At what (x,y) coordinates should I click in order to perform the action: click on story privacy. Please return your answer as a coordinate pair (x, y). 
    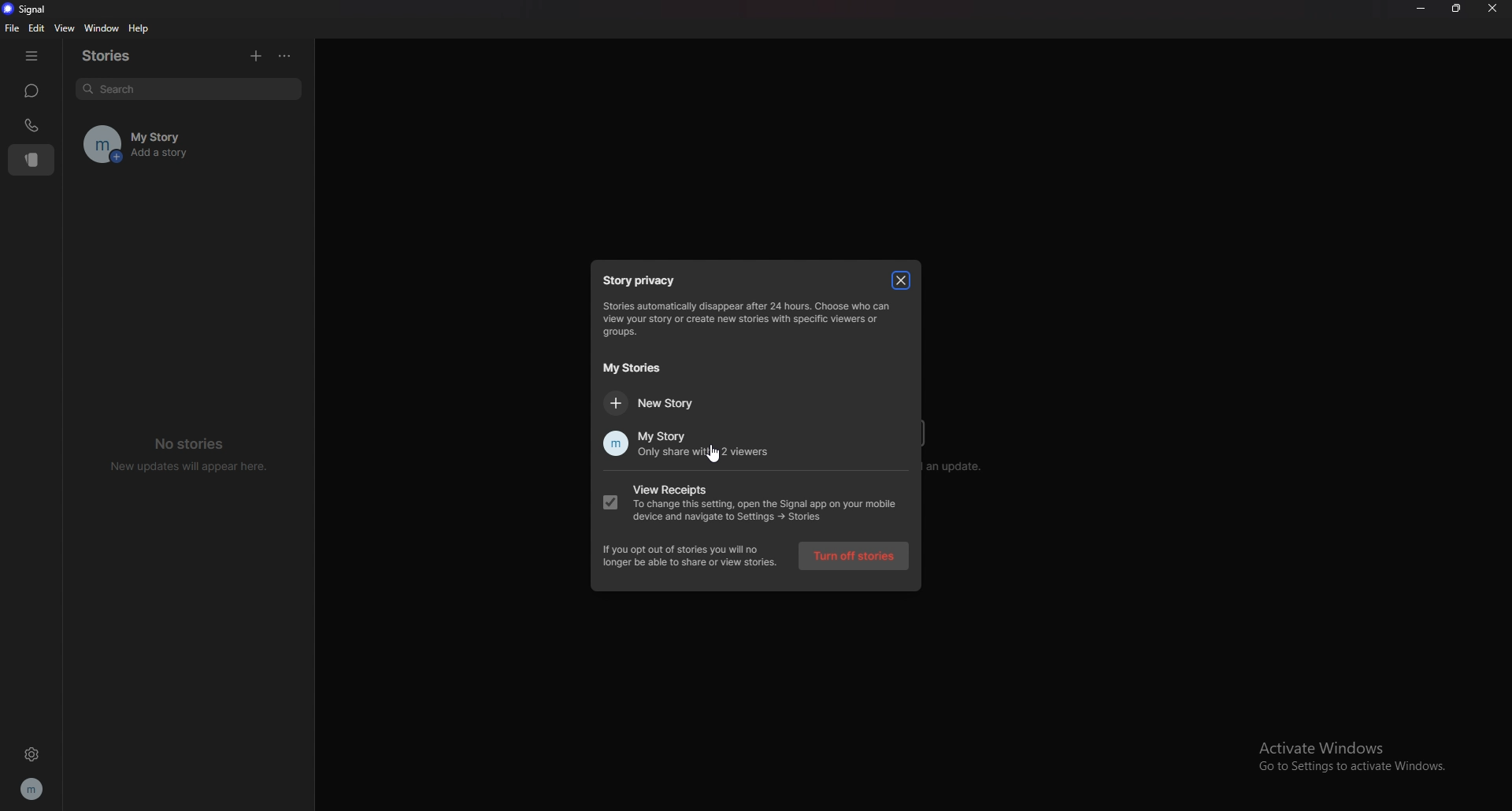
    Looking at the image, I should click on (639, 278).